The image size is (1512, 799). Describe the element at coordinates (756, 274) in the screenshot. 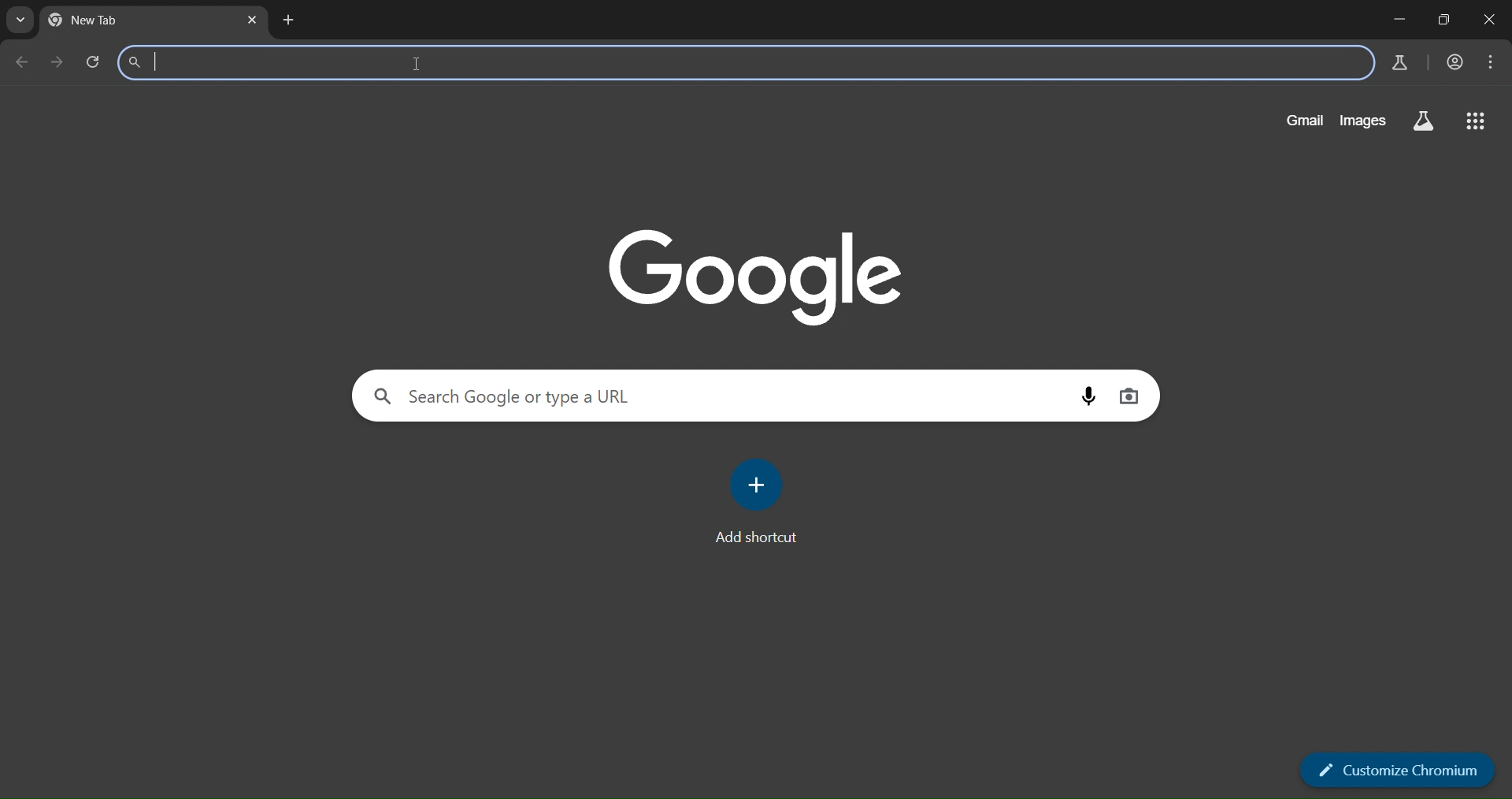

I see `image` at that location.